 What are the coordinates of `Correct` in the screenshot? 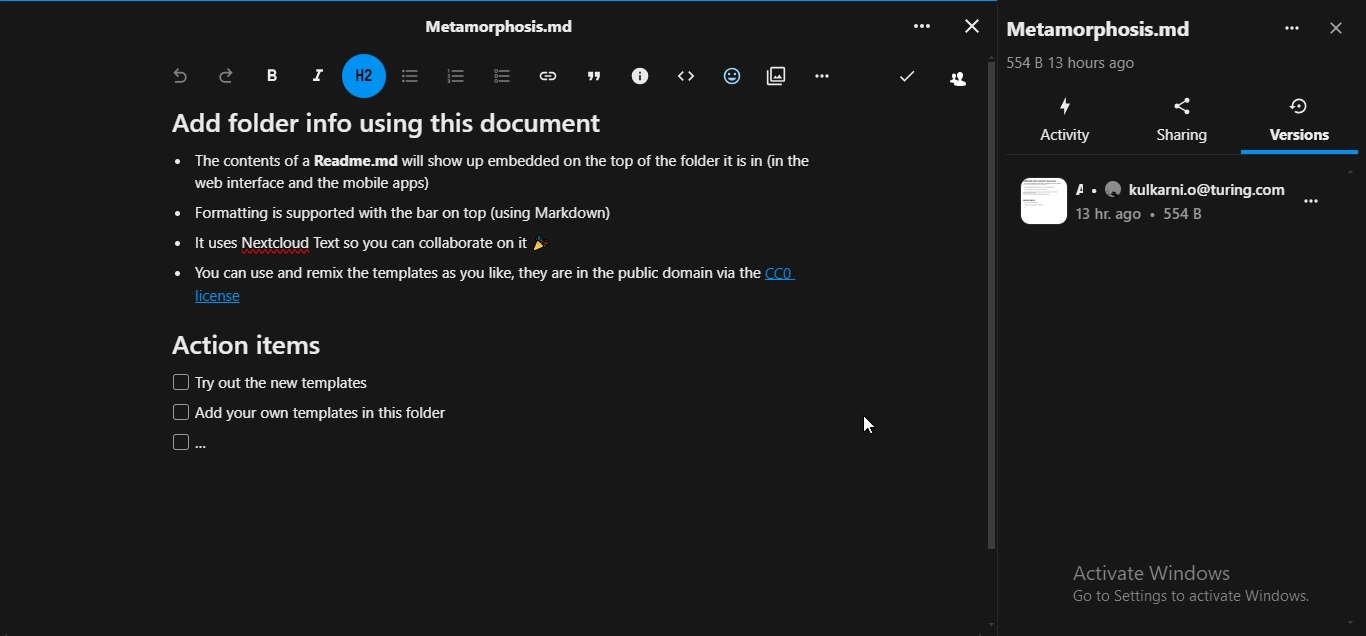 It's located at (907, 76).